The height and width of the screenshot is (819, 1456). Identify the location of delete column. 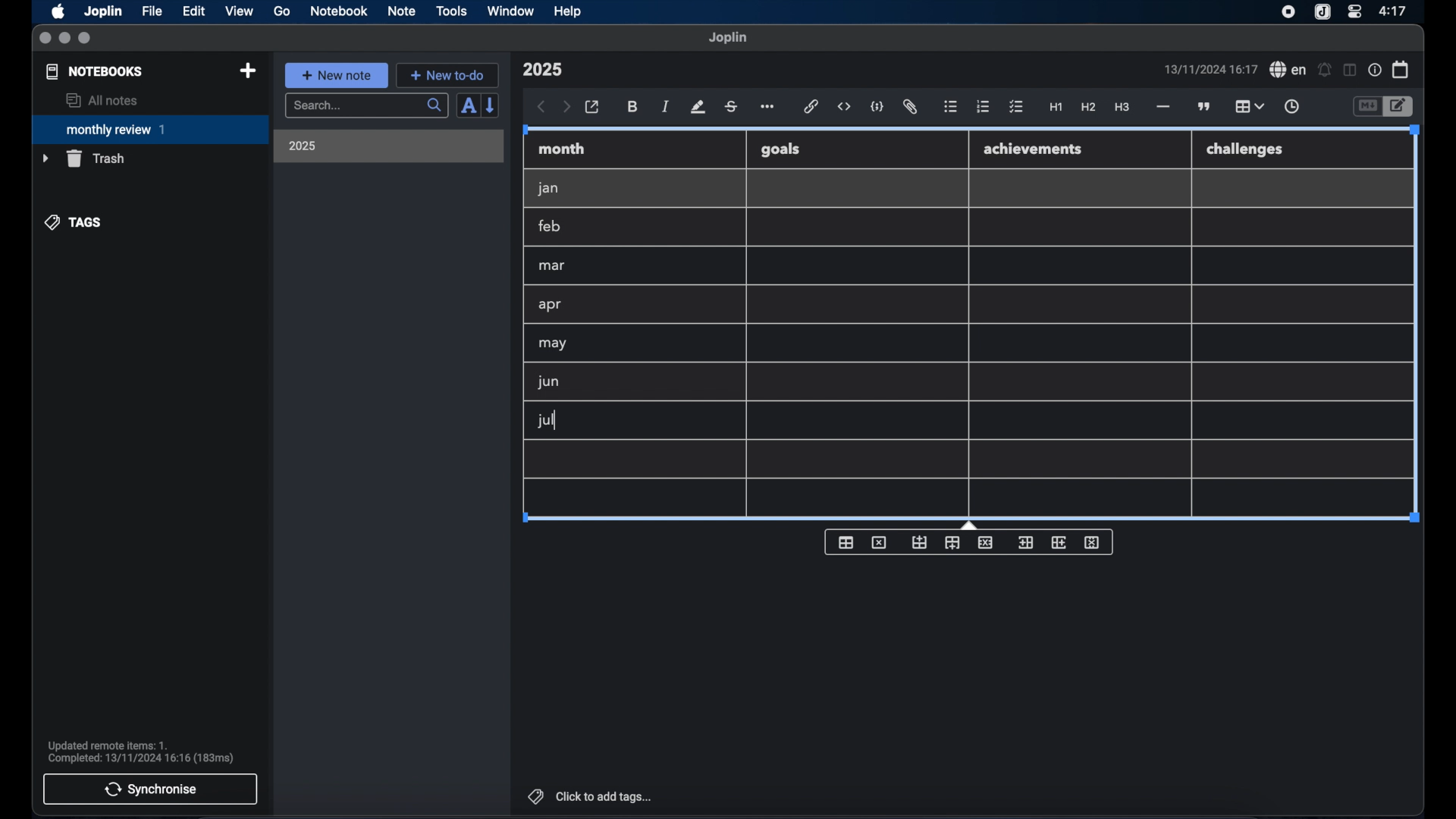
(1093, 543).